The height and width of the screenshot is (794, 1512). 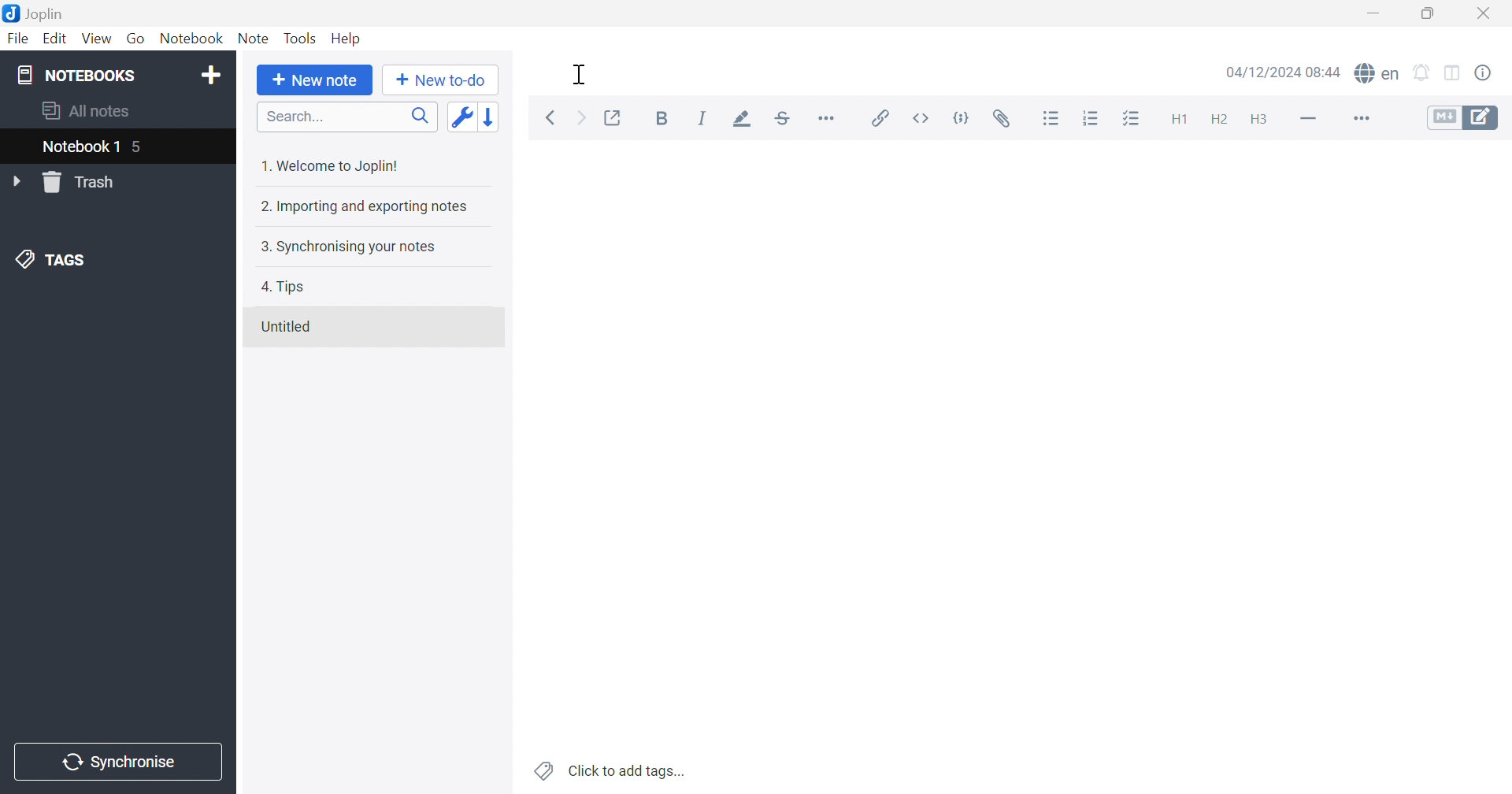 I want to click on TAGS, so click(x=56, y=261).